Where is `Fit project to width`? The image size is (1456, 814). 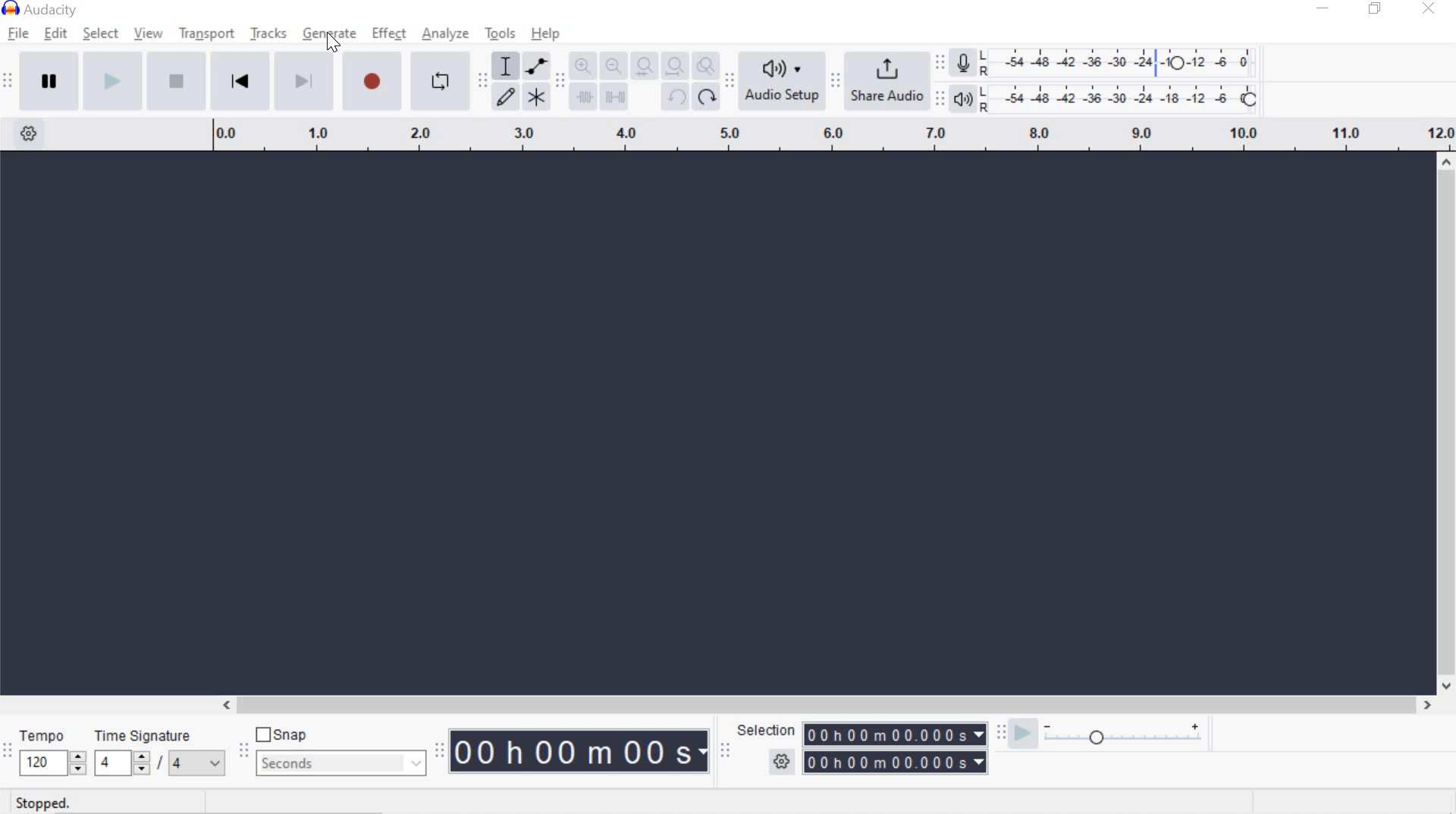
Fit project to width is located at coordinates (673, 66).